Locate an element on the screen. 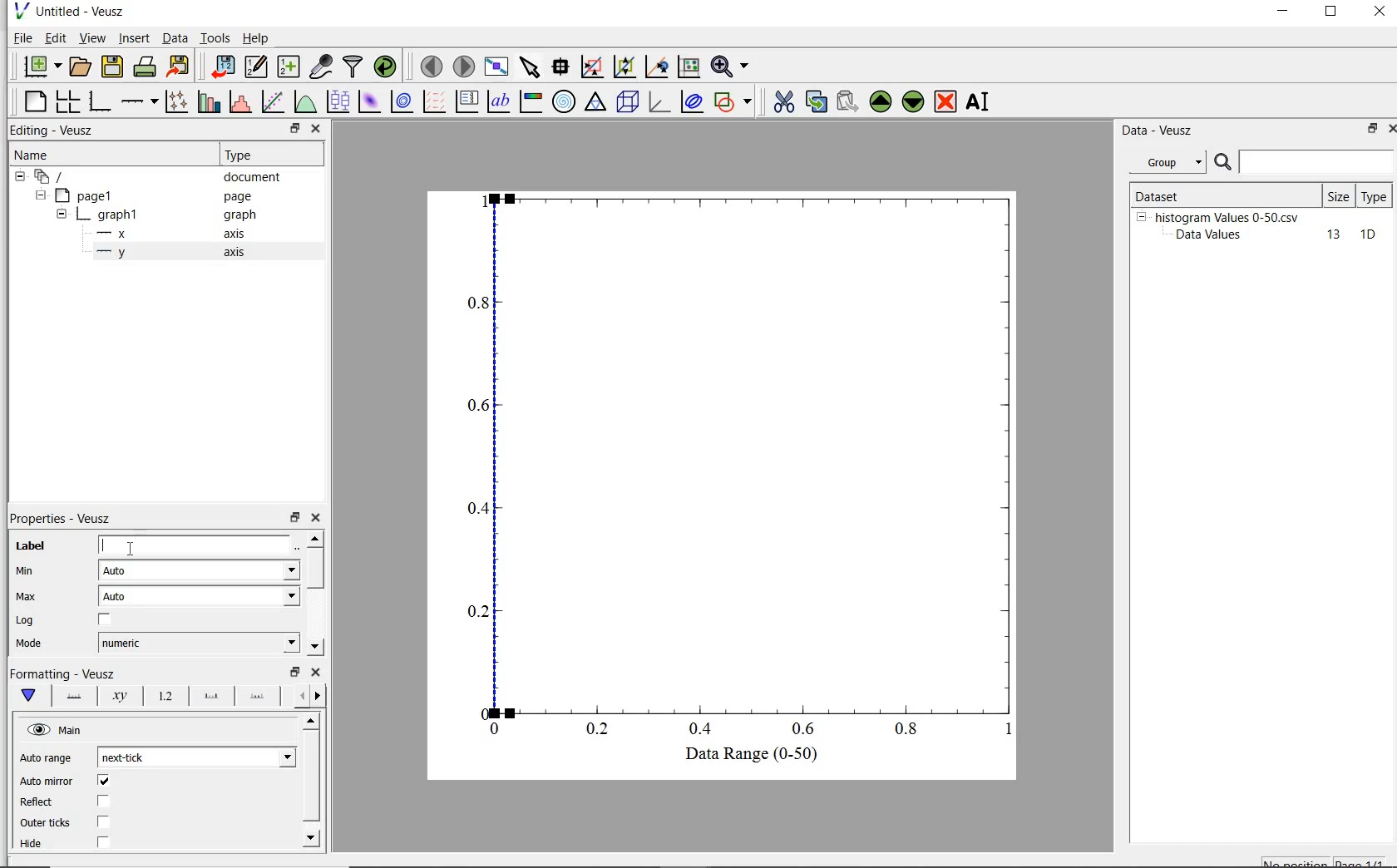 The image size is (1397, 868). base graph is located at coordinates (101, 101).